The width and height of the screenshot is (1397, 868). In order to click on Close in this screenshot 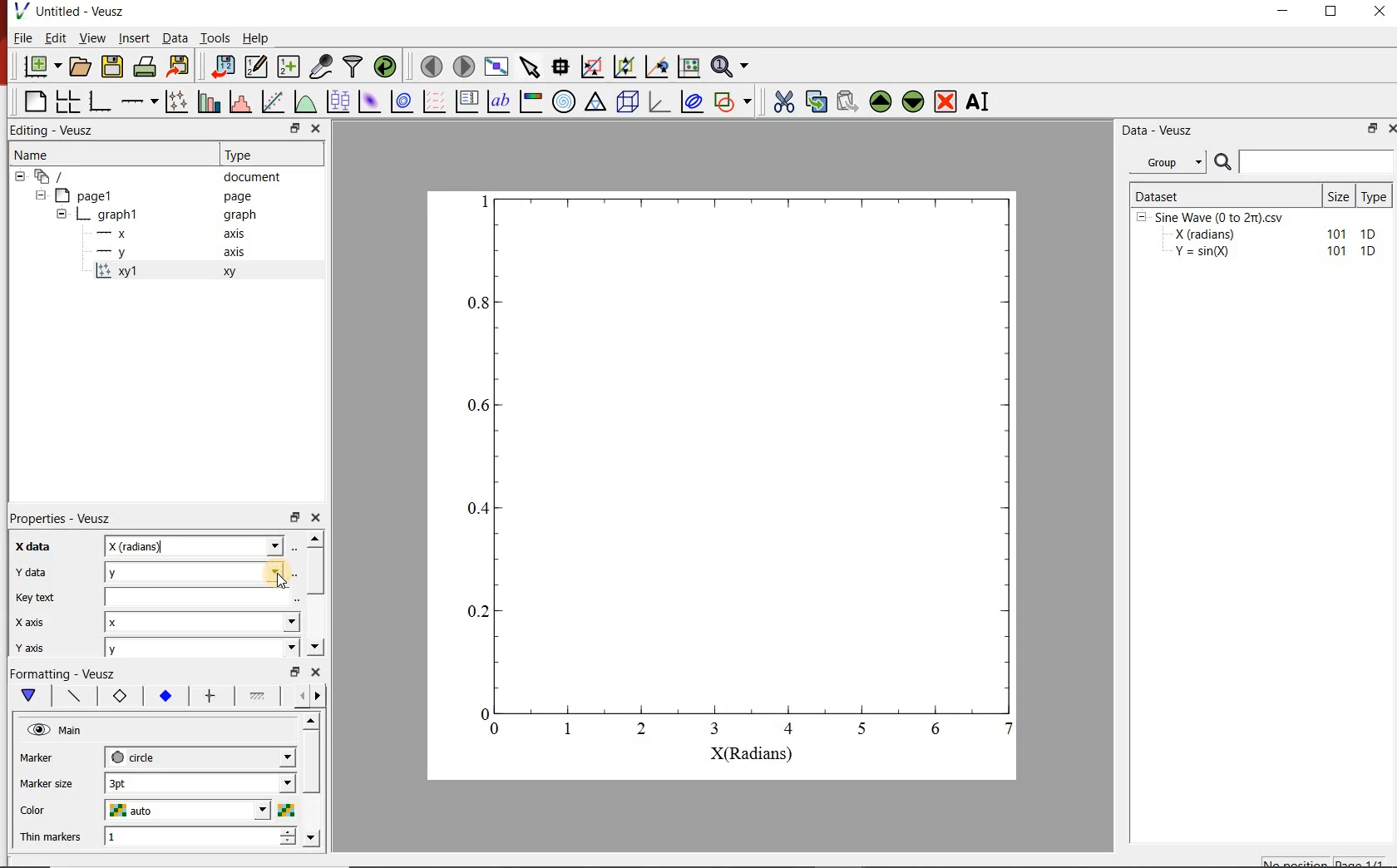, I will do `click(1389, 131)`.